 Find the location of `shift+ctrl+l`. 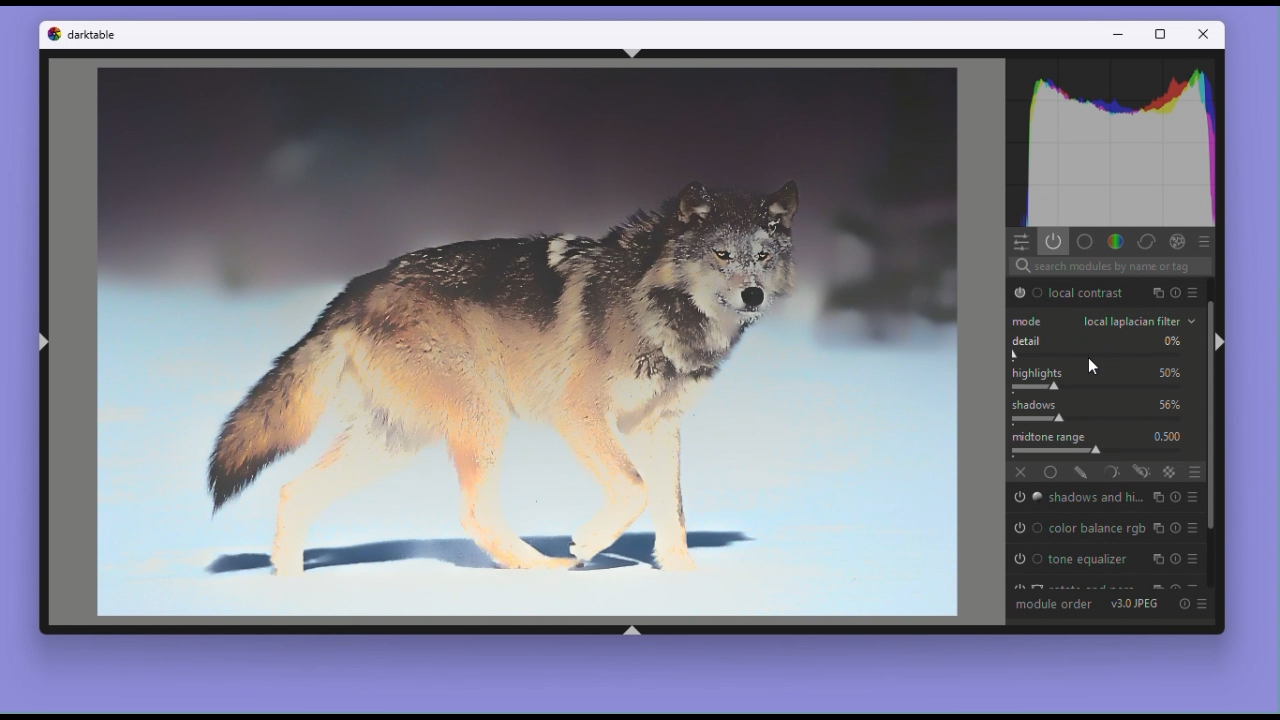

shift+ctrl+l is located at coordinates (44, 341).